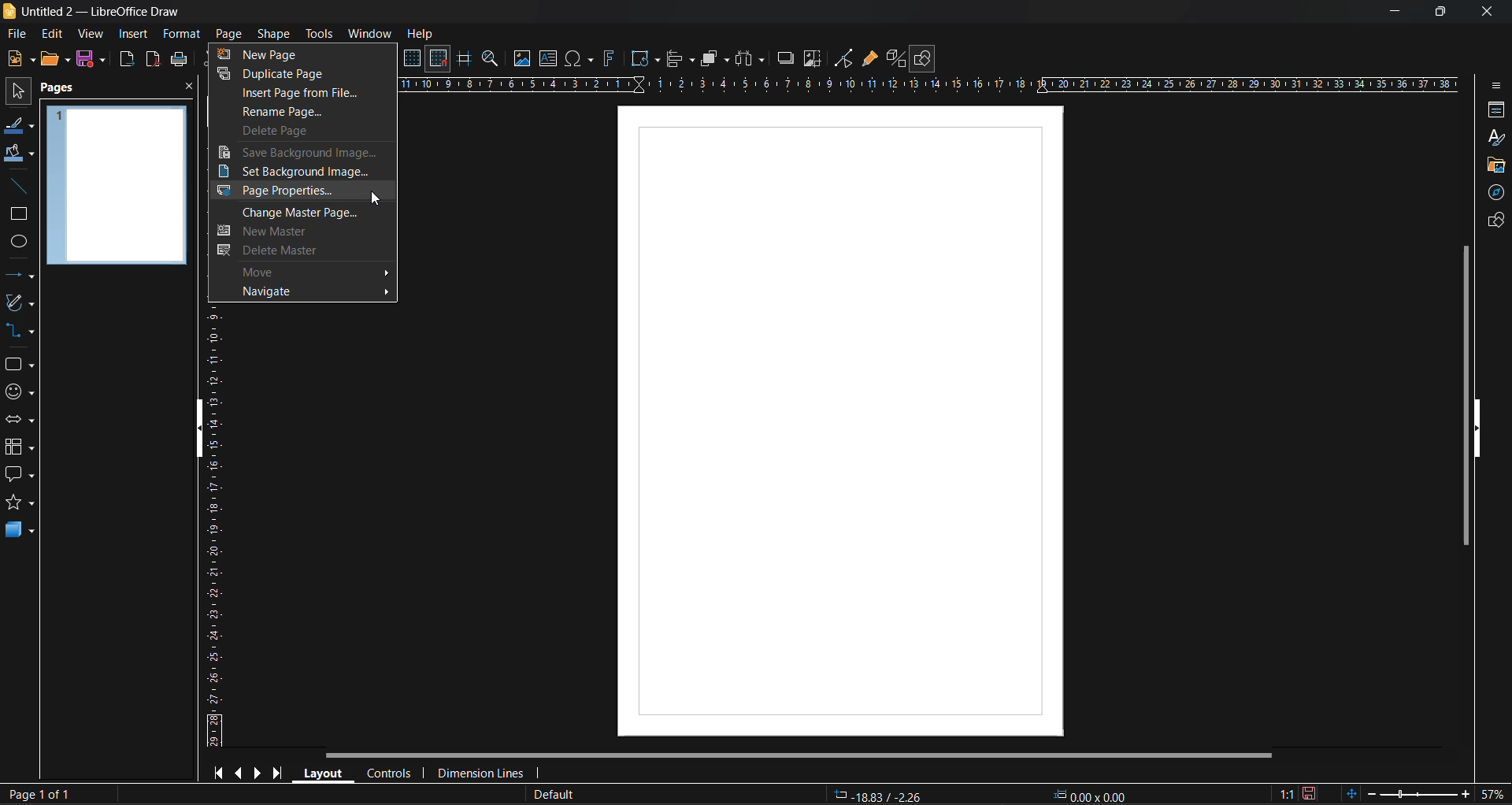 This screenshot has width=1512, height=805. I want to click on crop image, so click(812, 61).